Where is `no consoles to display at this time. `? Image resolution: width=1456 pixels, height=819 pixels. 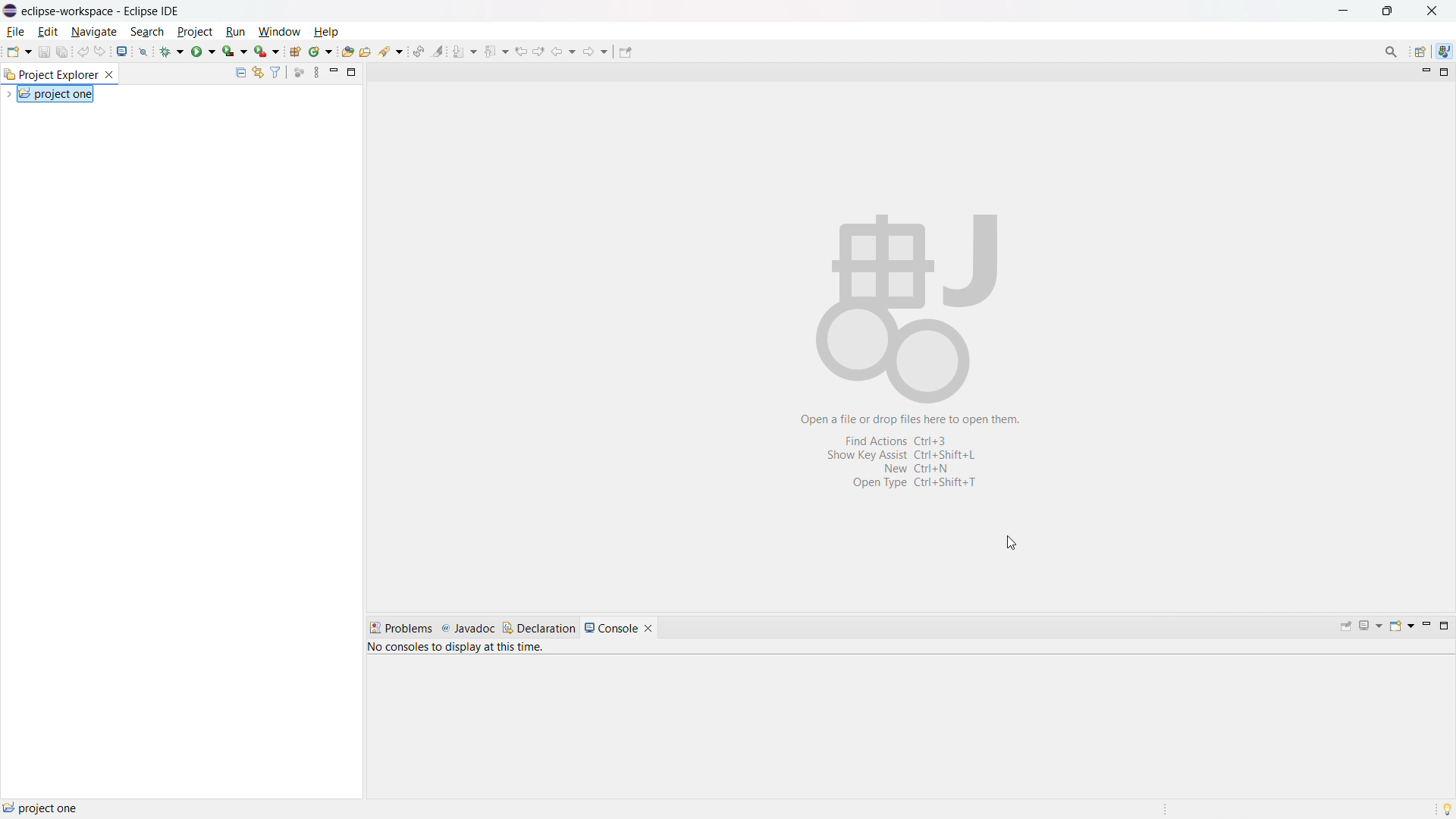 no consoles to display at this time.  is located at coordinates (459, 650).